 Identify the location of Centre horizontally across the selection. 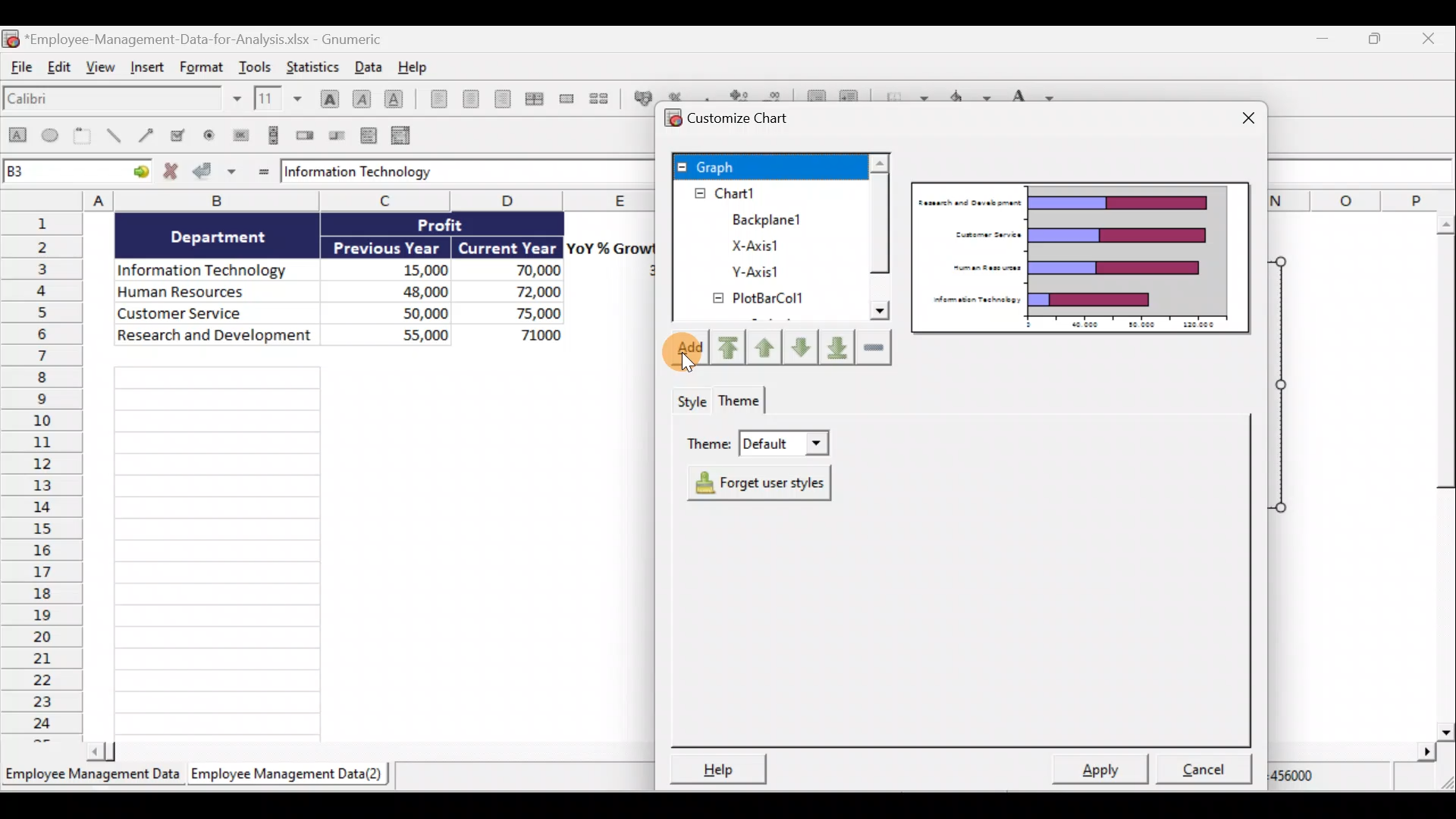
(534, 96).